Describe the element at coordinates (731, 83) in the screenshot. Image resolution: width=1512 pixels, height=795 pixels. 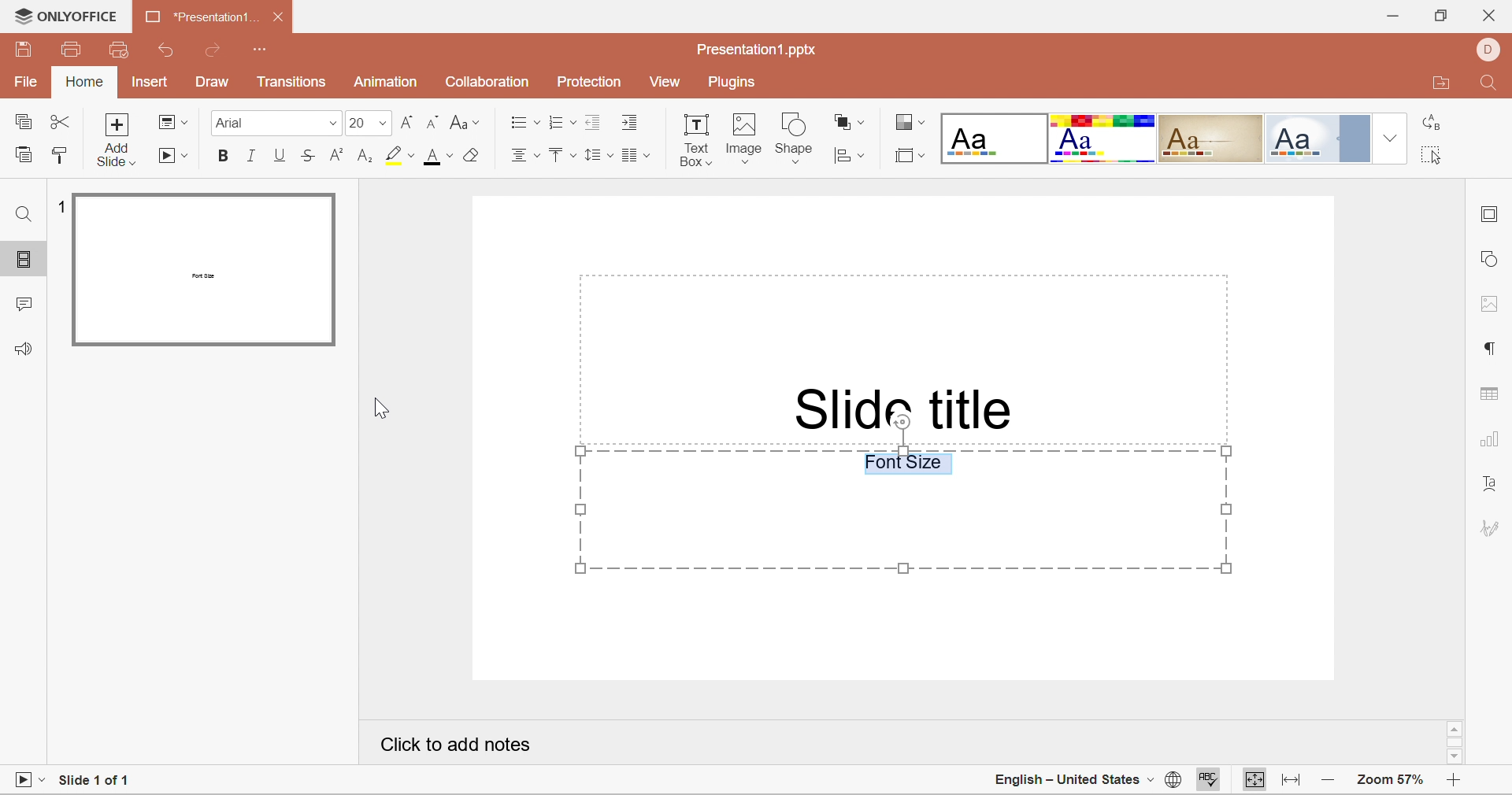
I see `Plugins` at that location.